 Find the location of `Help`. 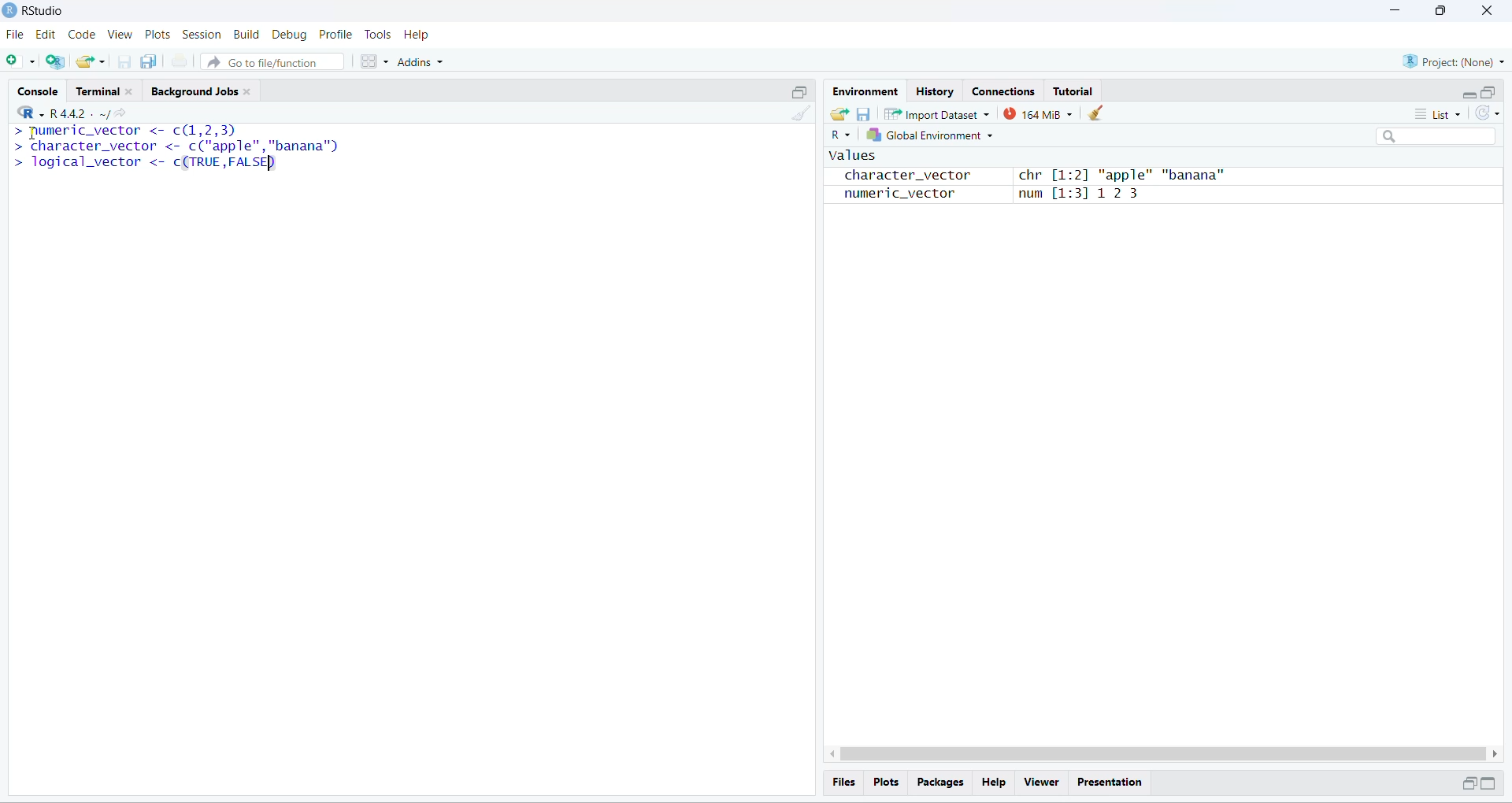

Help is located at coordinates (993, 783).